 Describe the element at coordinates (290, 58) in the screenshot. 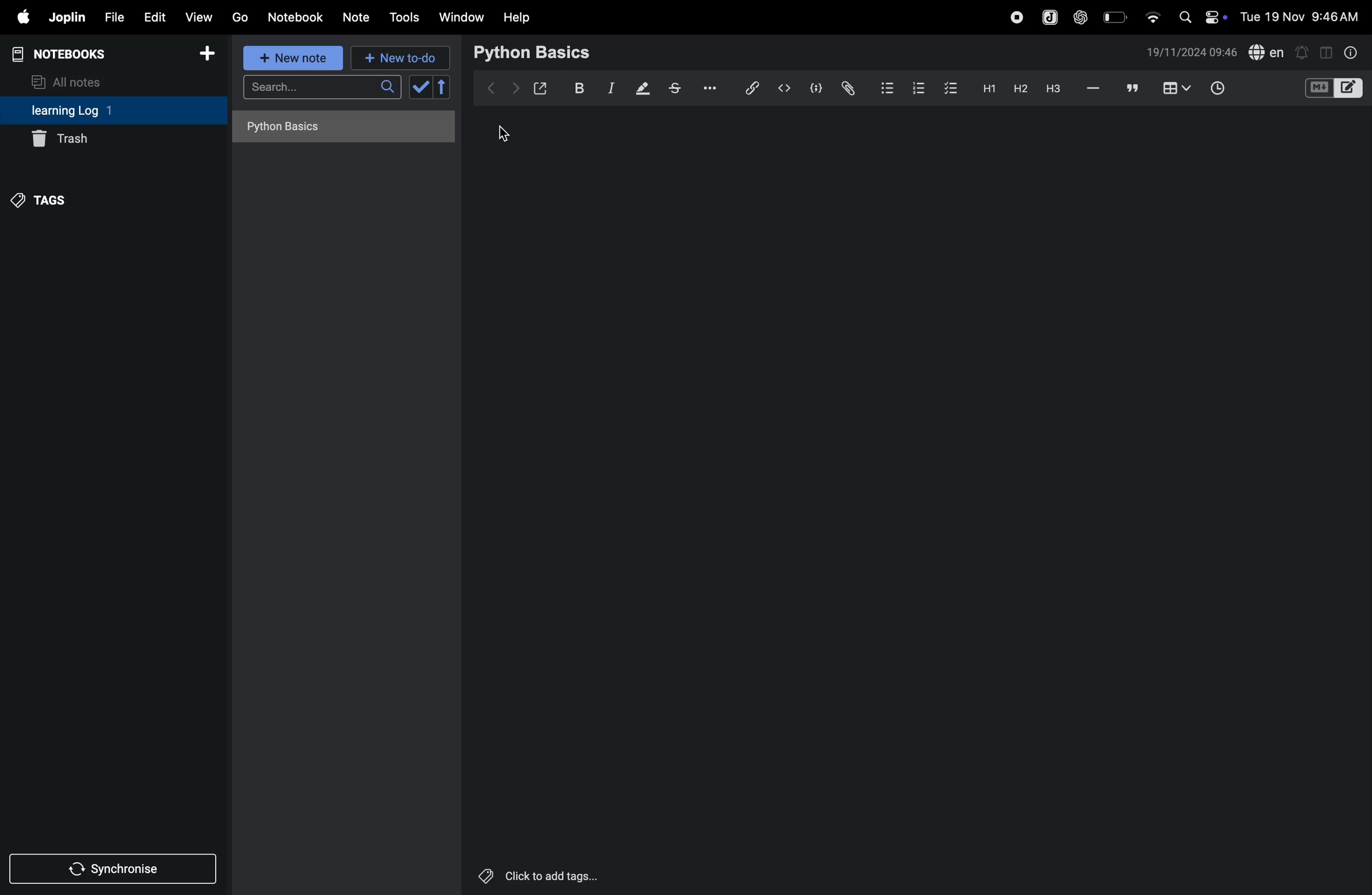

I see `new note` at that location.